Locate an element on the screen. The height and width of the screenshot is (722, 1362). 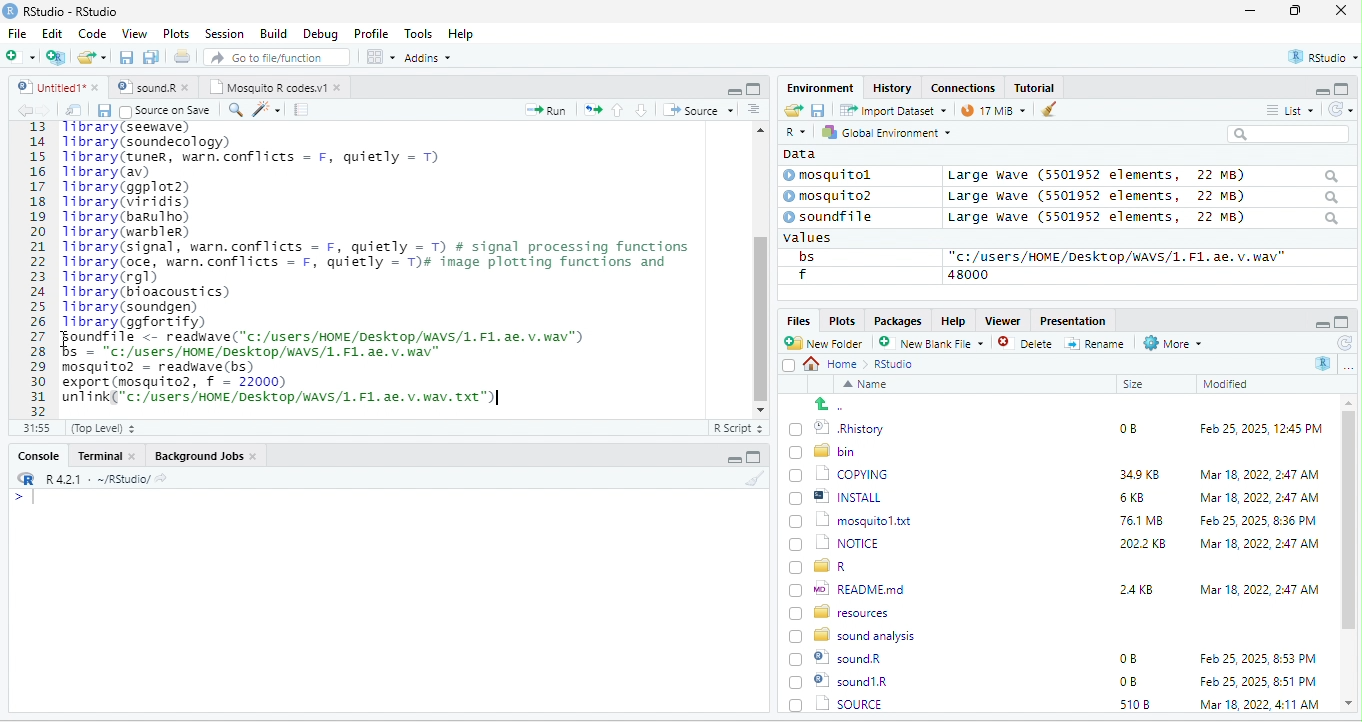
R is located at coordinates (1324, 363).